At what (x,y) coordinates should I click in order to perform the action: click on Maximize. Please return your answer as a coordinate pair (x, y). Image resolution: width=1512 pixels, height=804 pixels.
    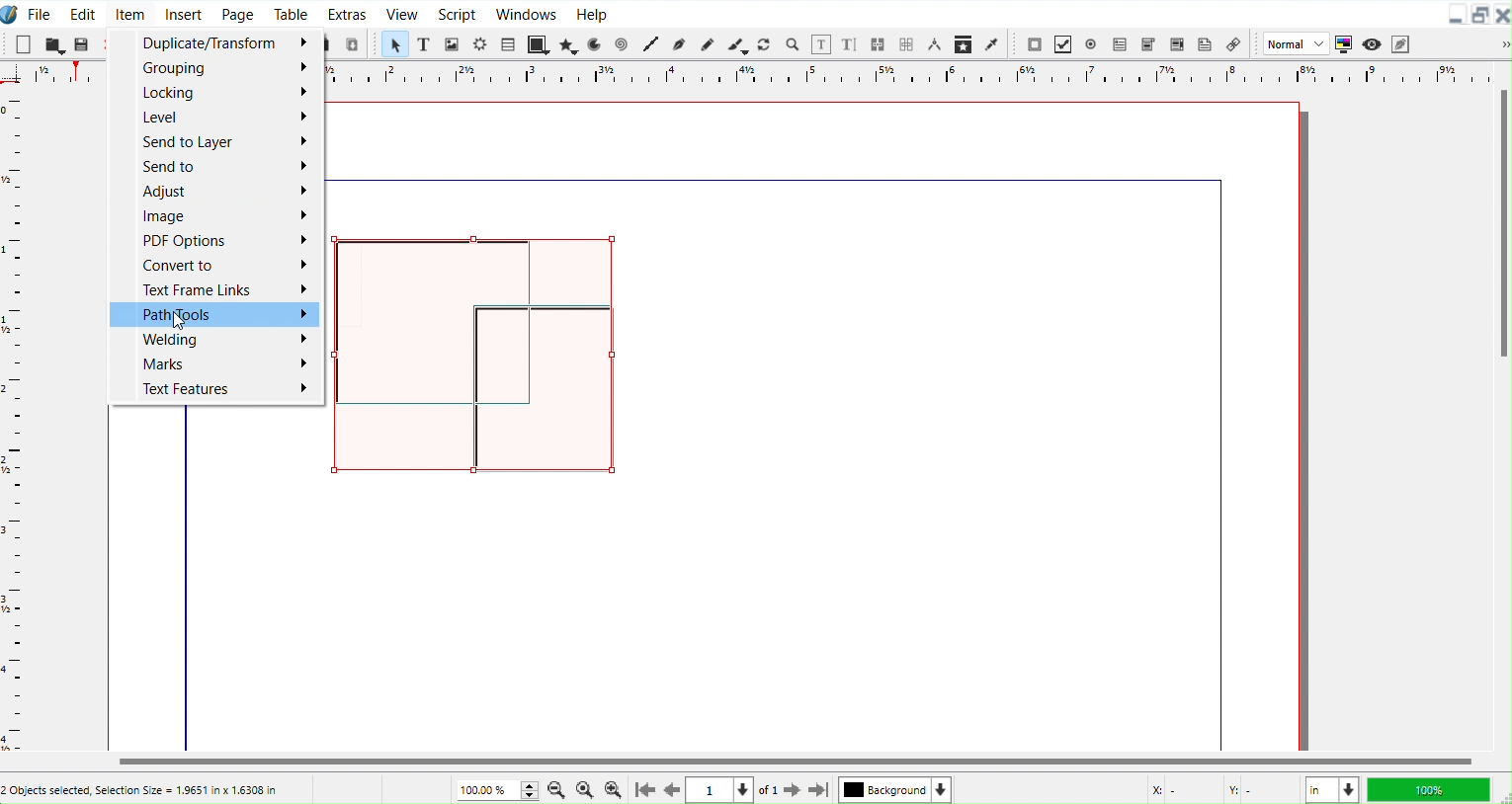
    Looking at the image, I should click on (1481, 15).